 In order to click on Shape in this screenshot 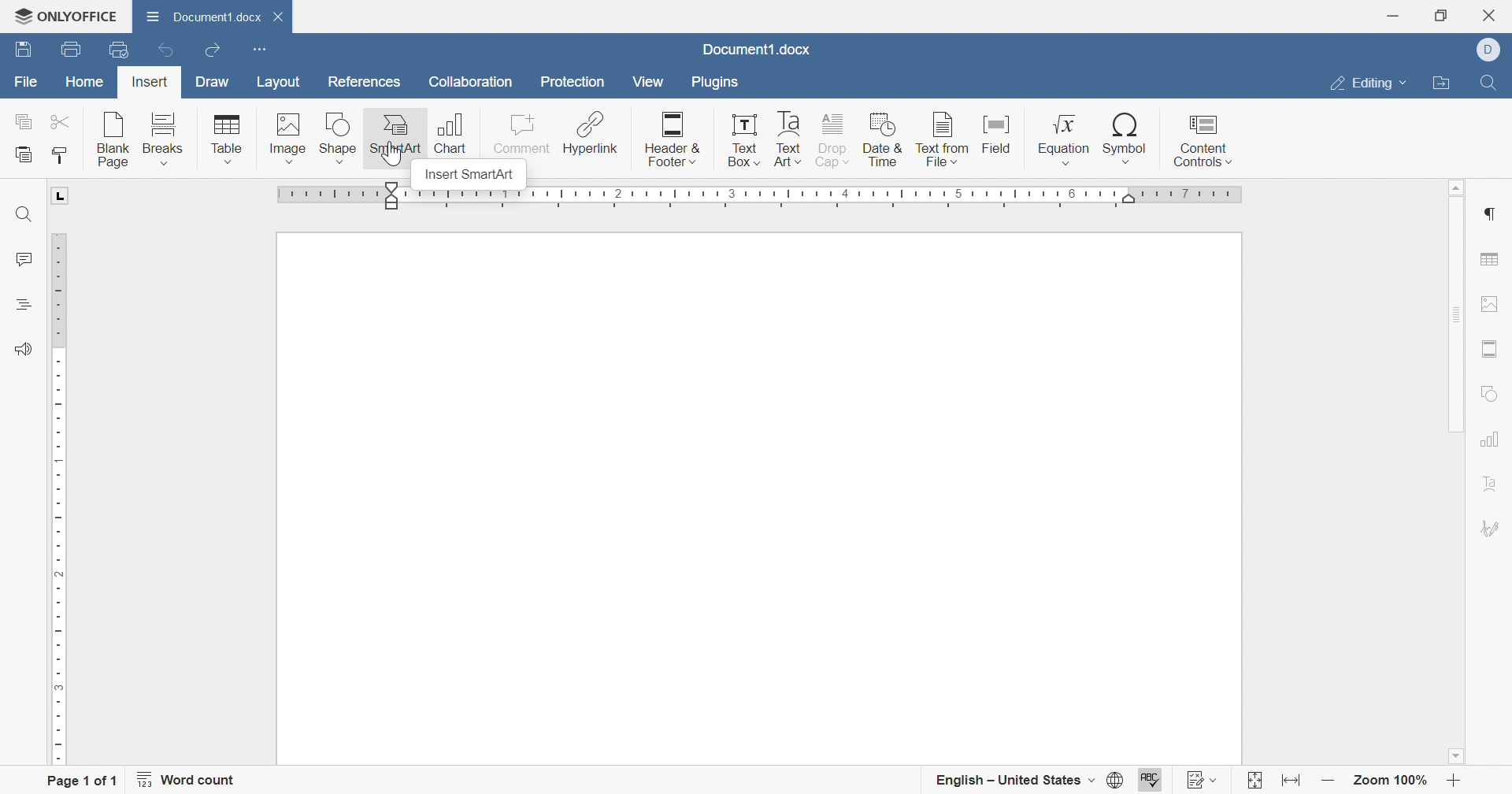, I will do `click(339, 139)`.